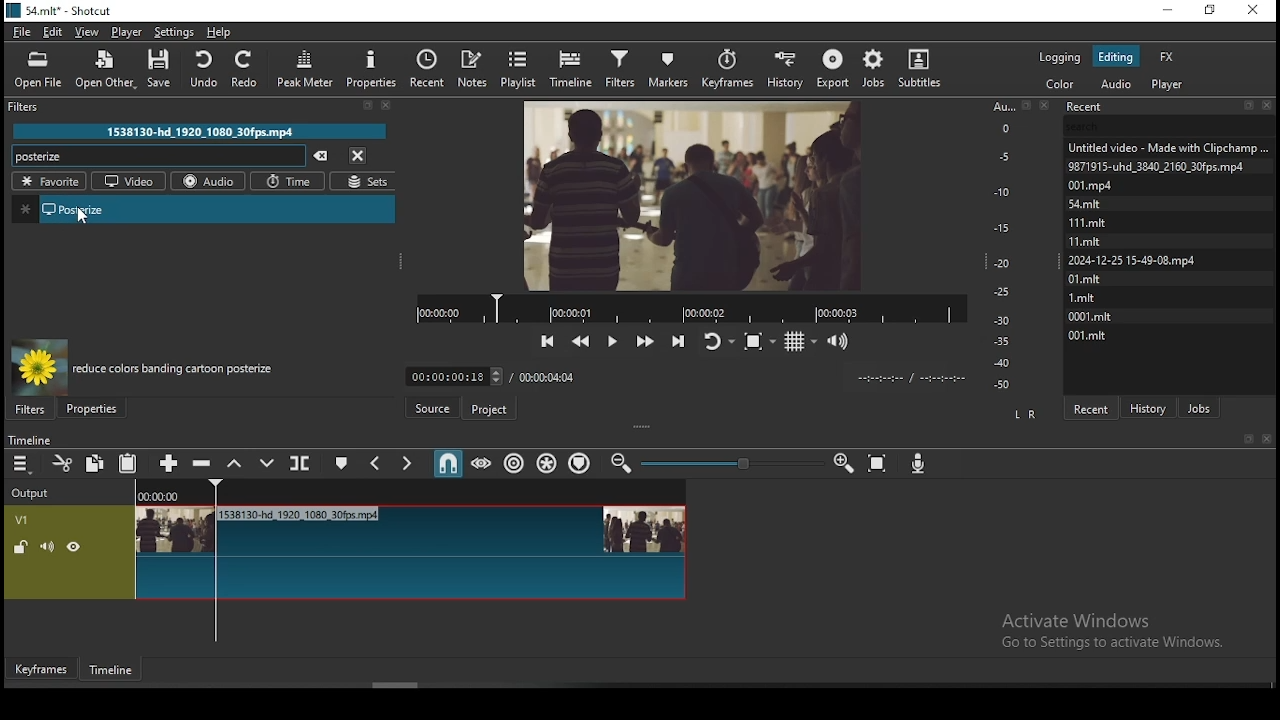 The height and width of the screenshot is (720, 1280). What do you see at coordinates (87, 31) in the screenshot?
I see `view` at bounding box center [87, 31].